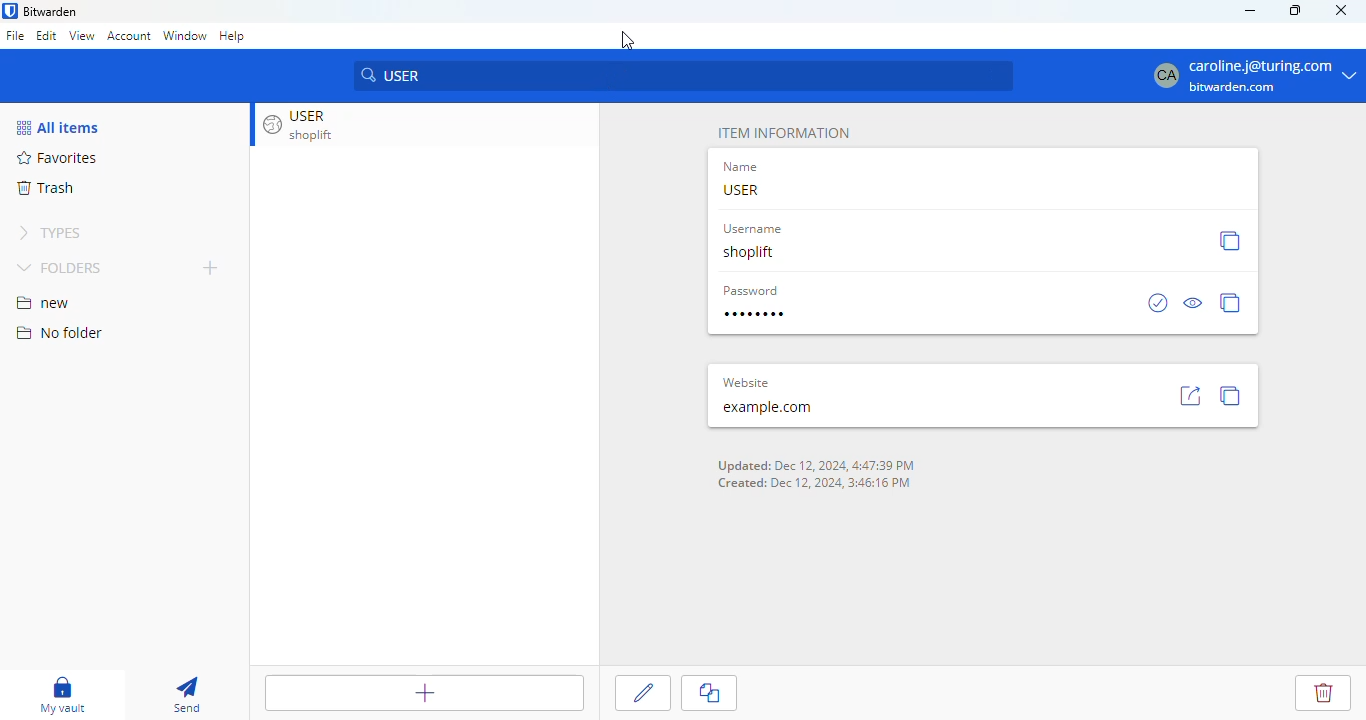 Image resolution: width=1366 pixels, height=720 pixels. I want to click on my vault, so click(66, 695).